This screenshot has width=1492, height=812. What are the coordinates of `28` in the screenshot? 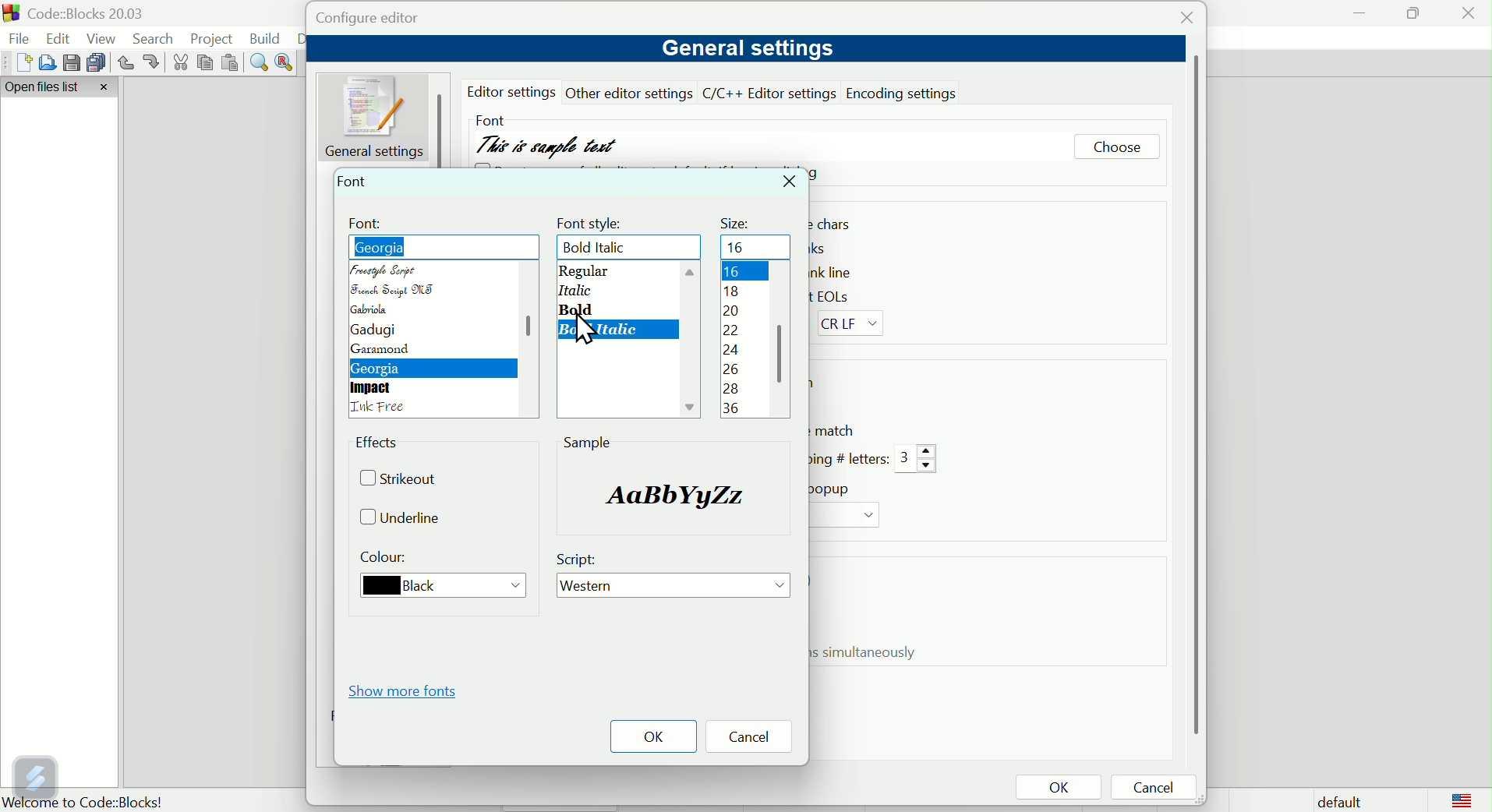 It's located at (731, 389).